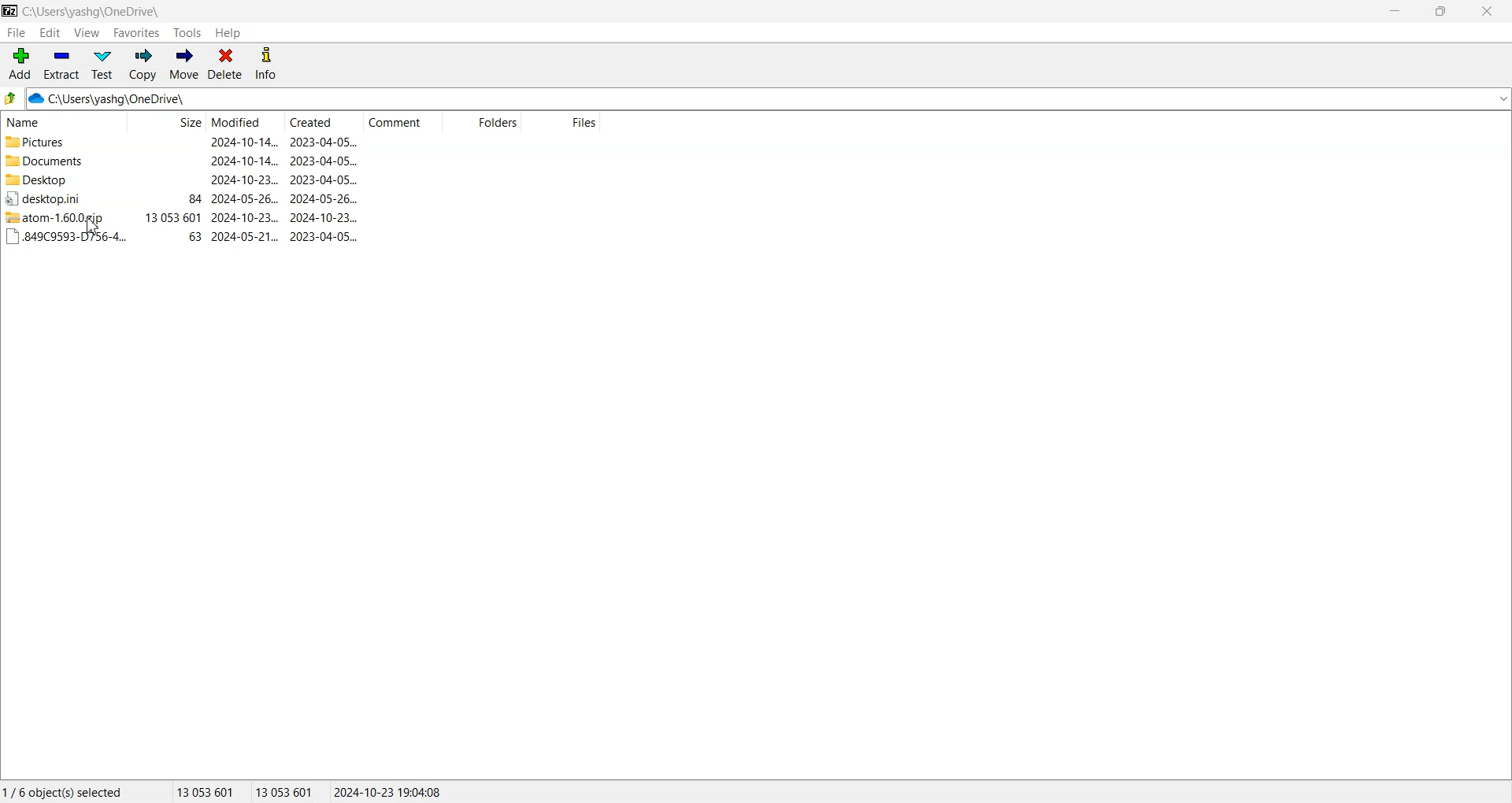 The width and height of the screenshot is (1512, 803). What do you see at coordinates (102, 65) in the screenshot?
I see `Test` at bounding box center [102, 65].